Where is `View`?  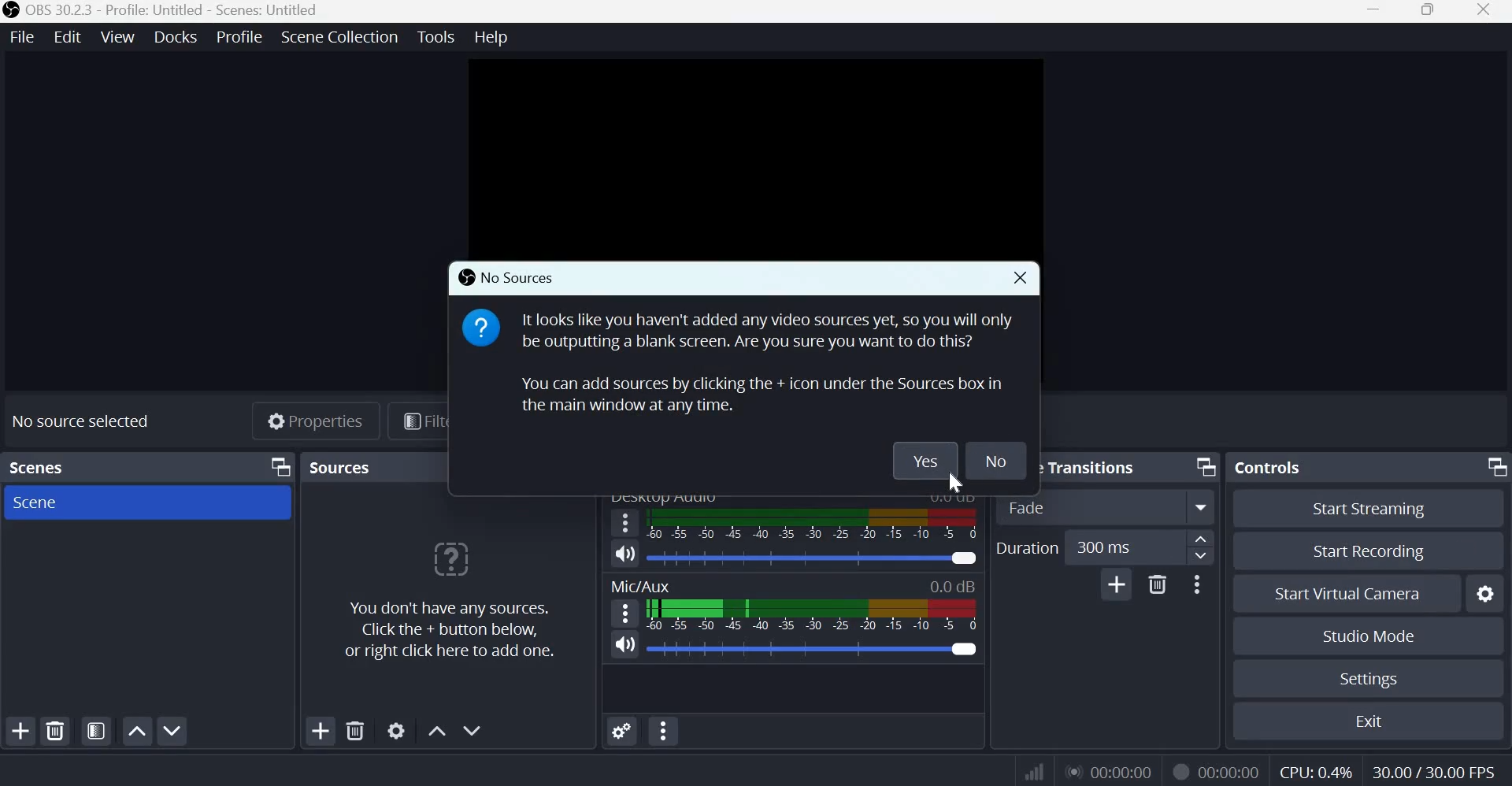 View is located at coordinates (116, 37).